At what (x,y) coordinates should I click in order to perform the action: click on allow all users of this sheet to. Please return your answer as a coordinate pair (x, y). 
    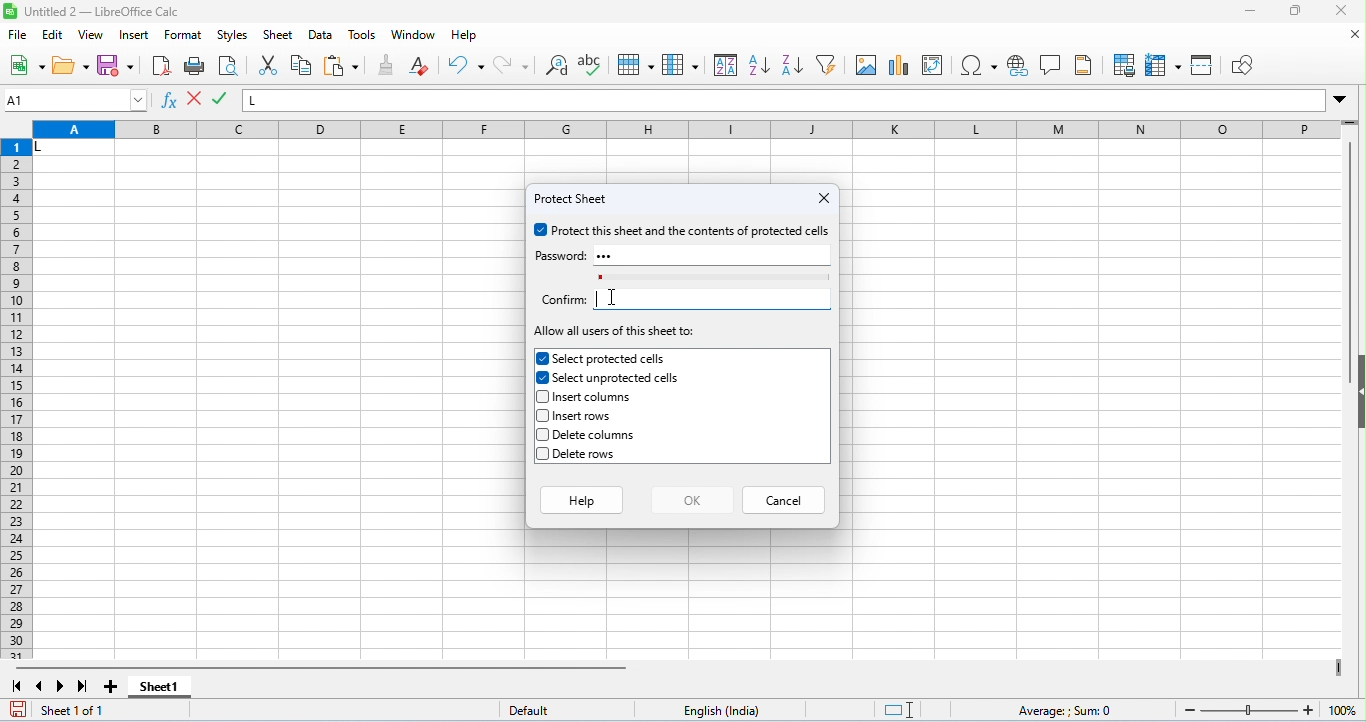
    Looking at the image, I should click on (616, 332).